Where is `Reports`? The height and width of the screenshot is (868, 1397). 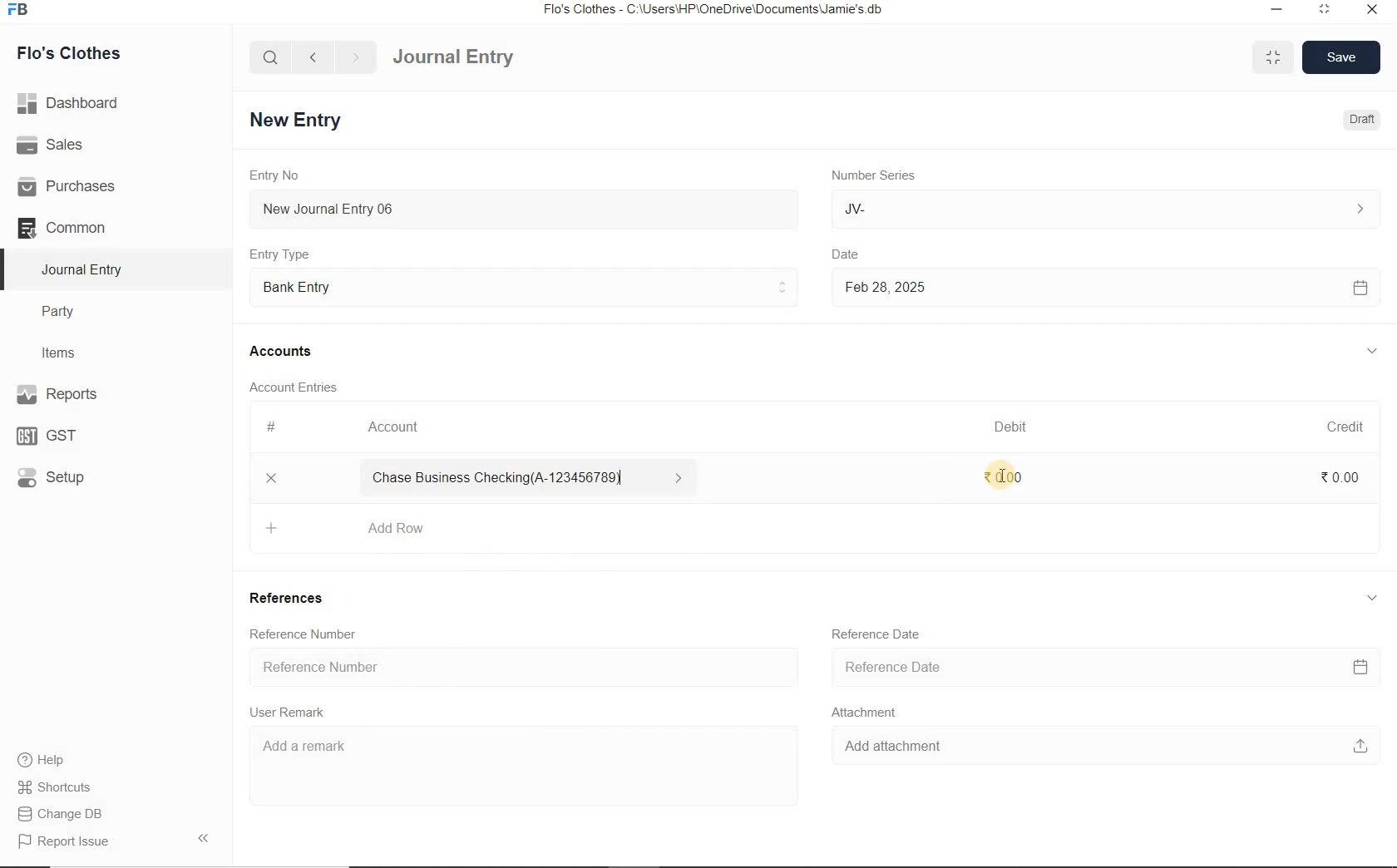 Reports is located at coordinates (83, 396).